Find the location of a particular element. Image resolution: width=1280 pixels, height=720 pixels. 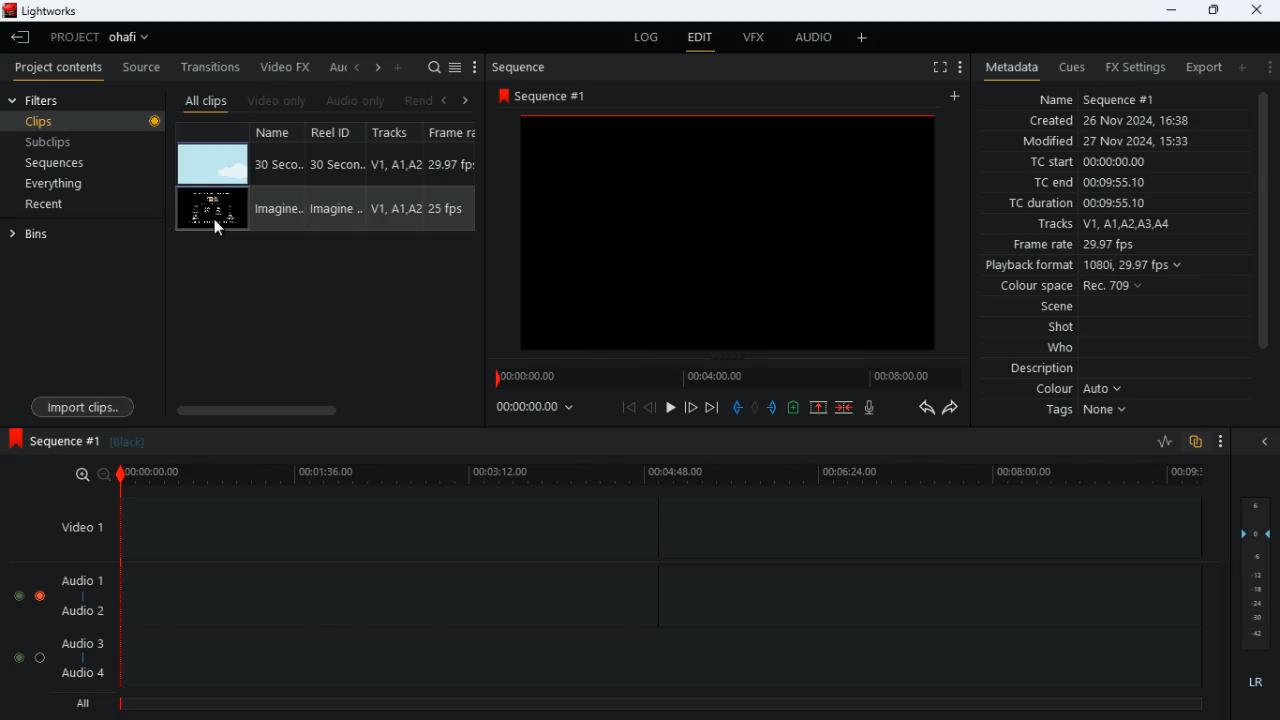

toggle is located at coordinates (39, 657).